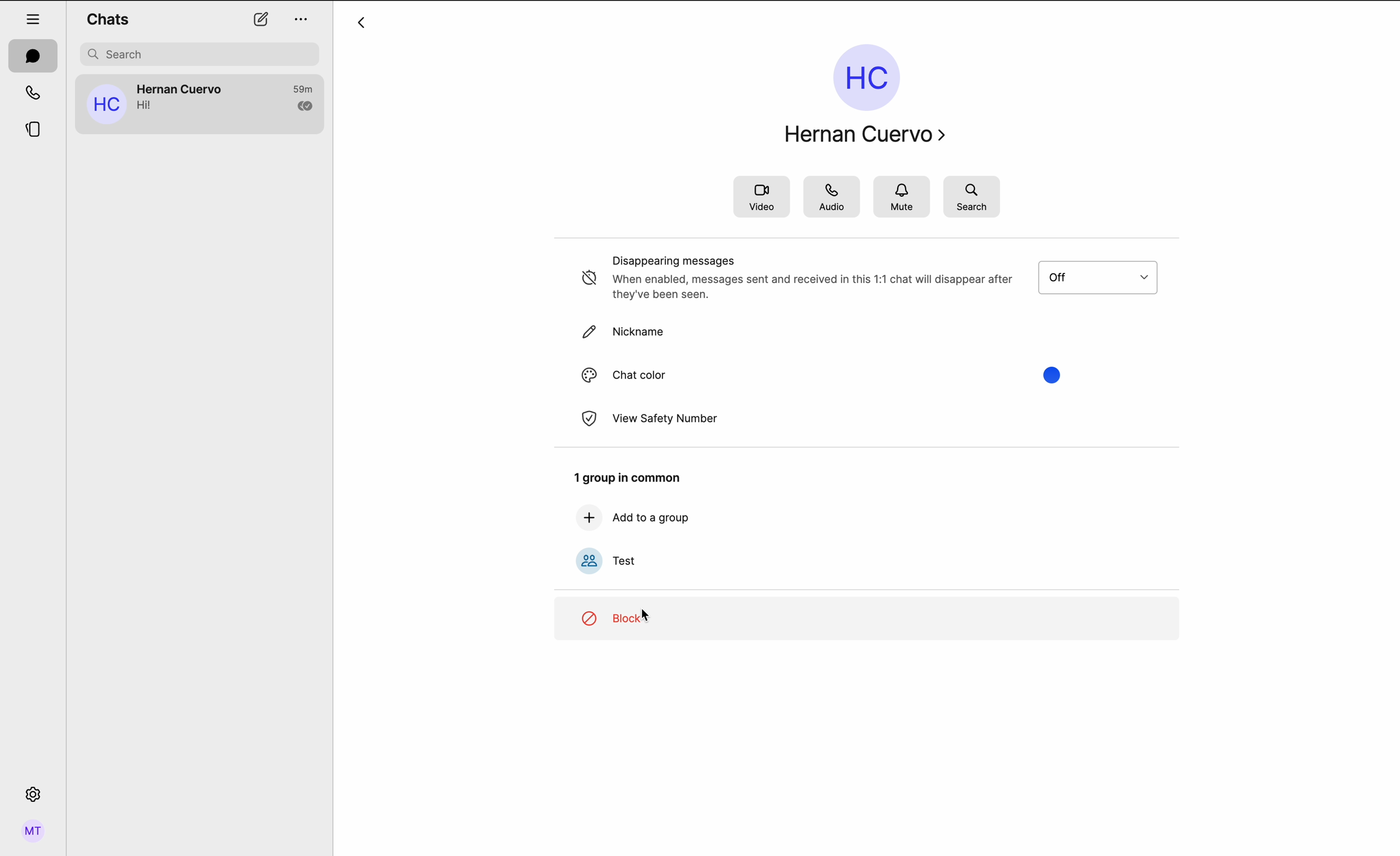  What do you see at coordinates (822, 375) in the screenshot?
I see `chat color` at bounding box center [822, 375].